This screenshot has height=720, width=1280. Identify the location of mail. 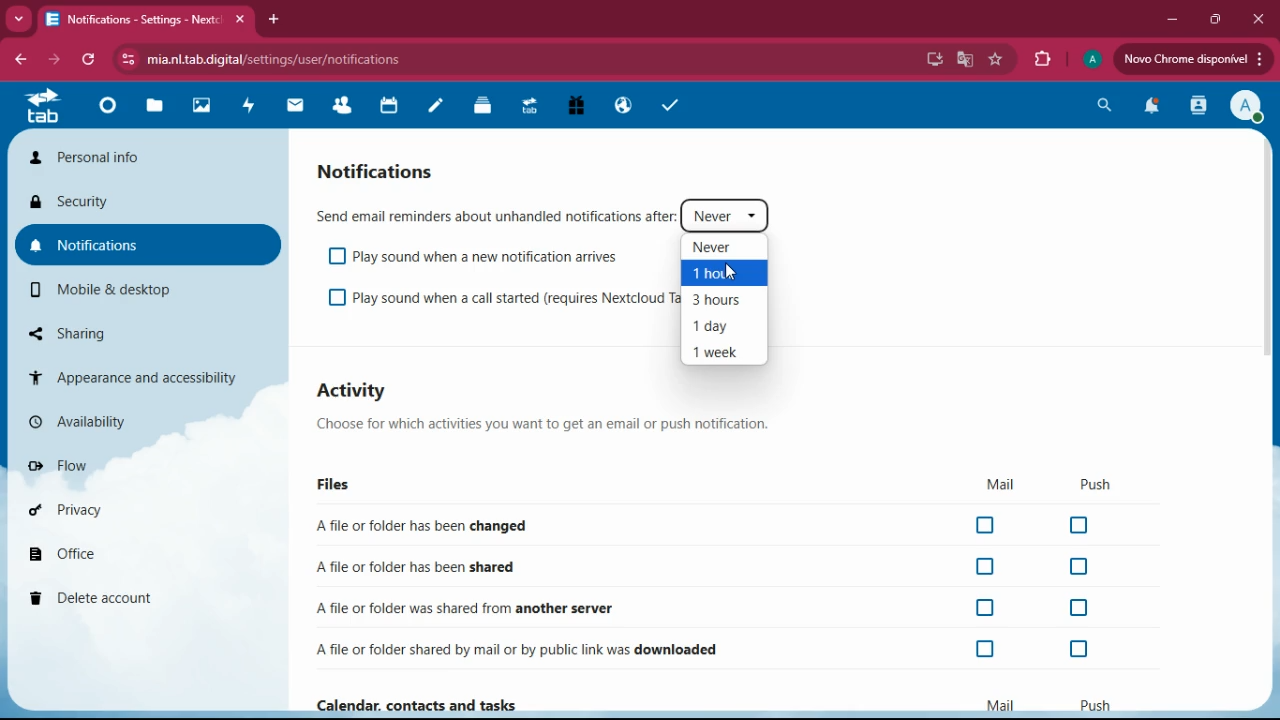
(992, 485).